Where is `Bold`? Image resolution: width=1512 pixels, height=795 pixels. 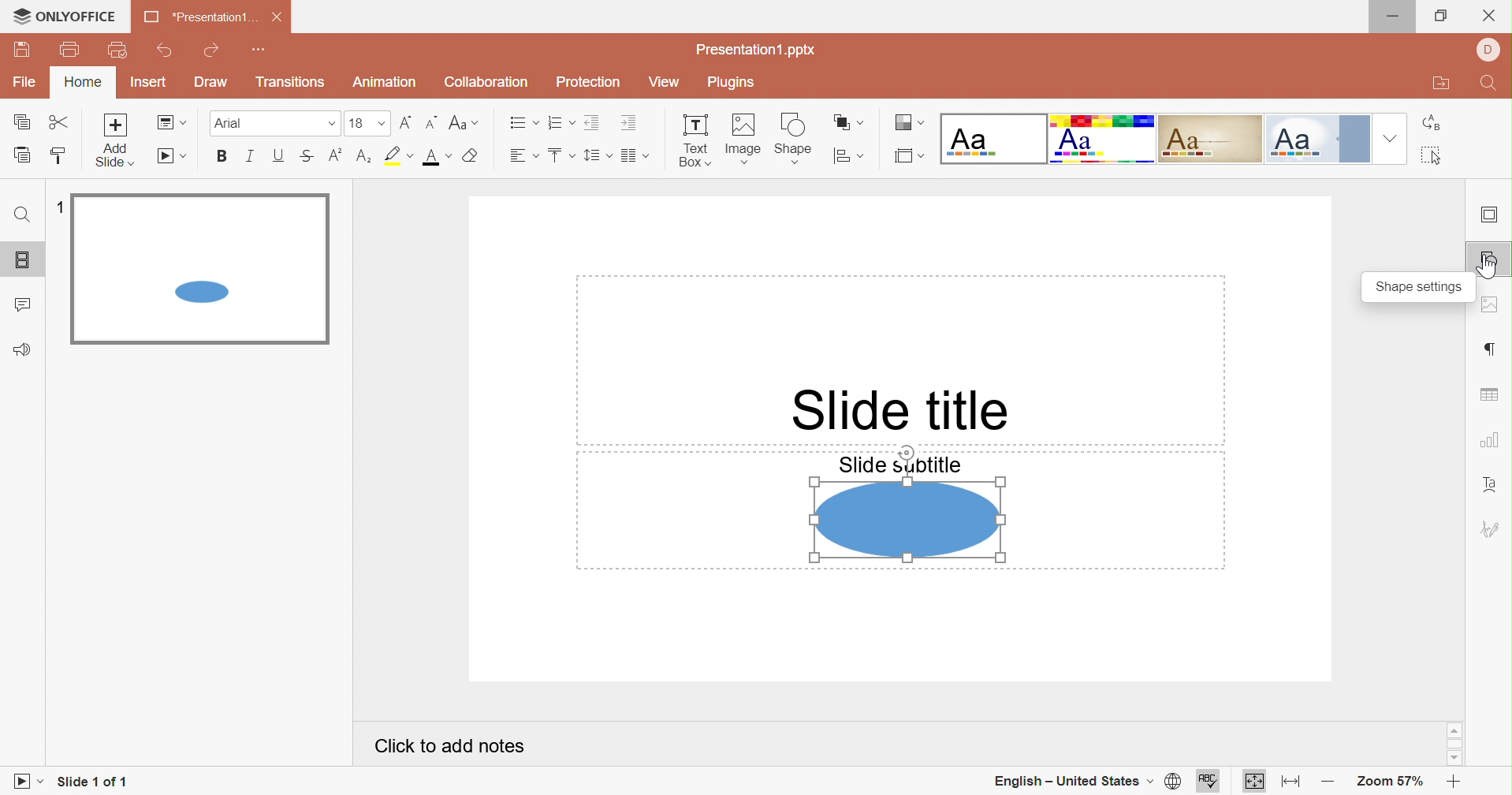
Bold is located at coordinates (224, 157).